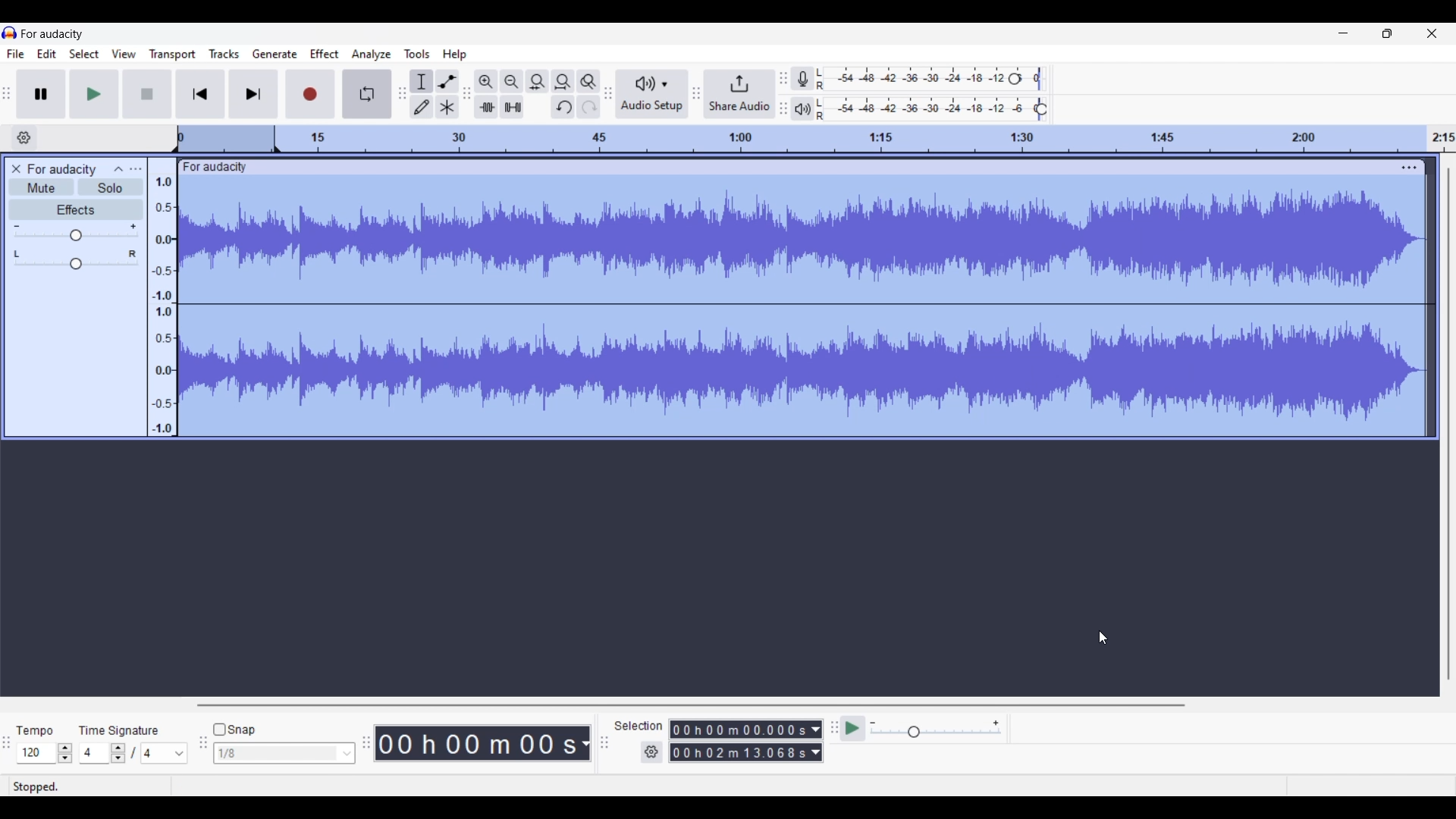  What do you see at coordinates (41, 187) in the screenshot?
I see `Mute` at bounding box center [41, 187].